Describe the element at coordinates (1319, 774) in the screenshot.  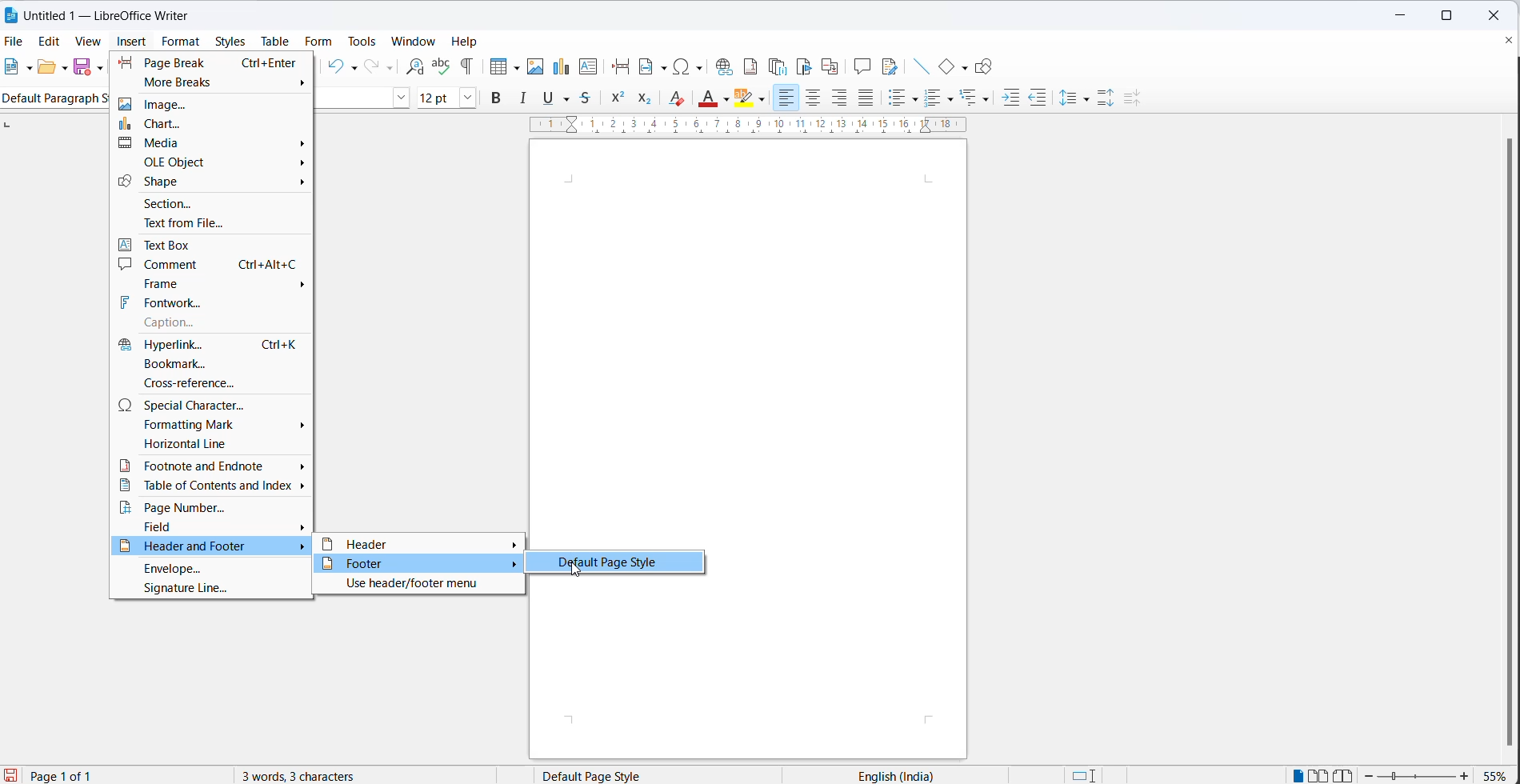
I see `double page view` at that location.